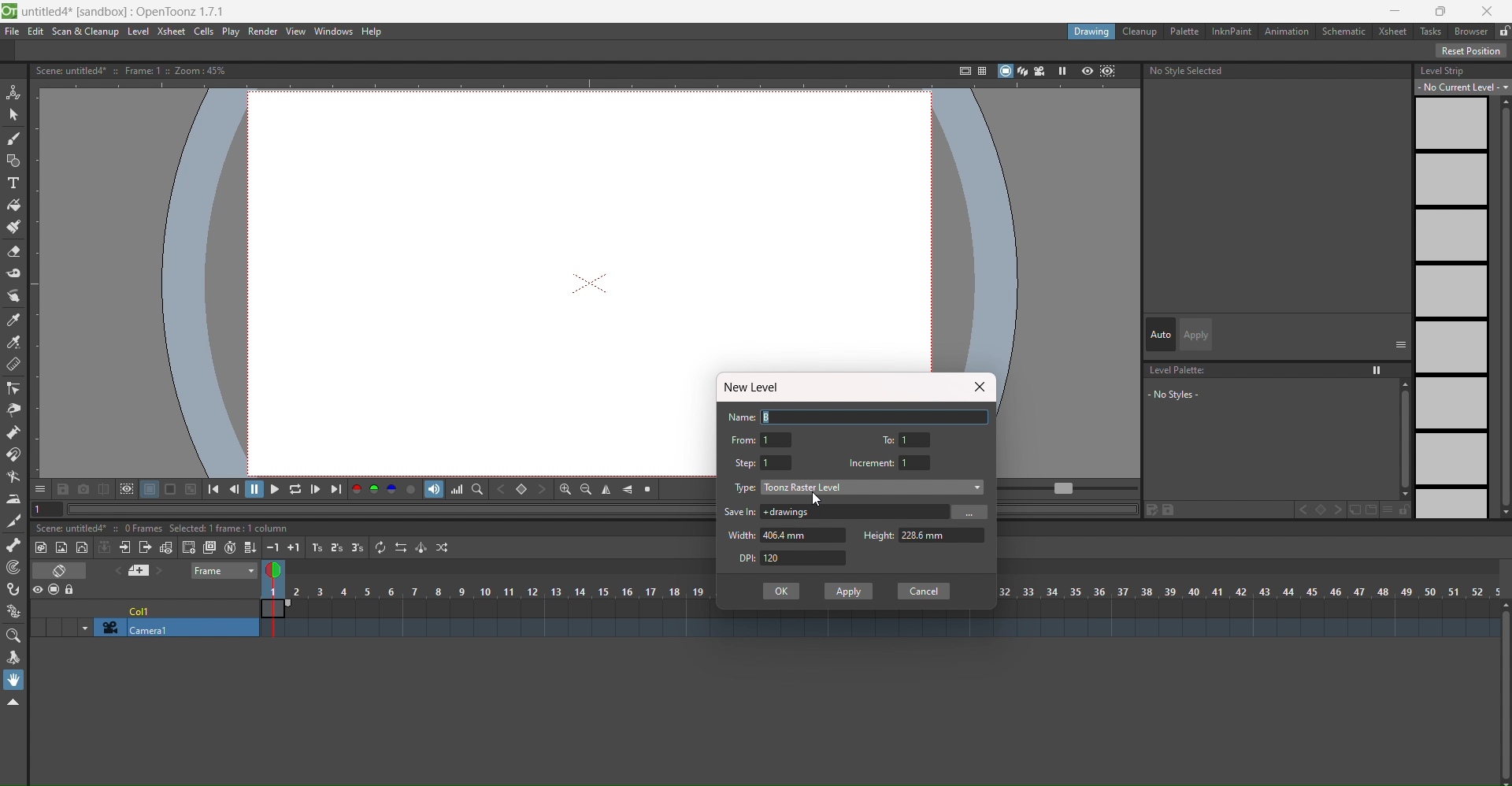 The width and height of the screenshot is (1512, 786). Describe the element at coordinates (1141, 32) in the screenshot. I see `cleanup` at that location.